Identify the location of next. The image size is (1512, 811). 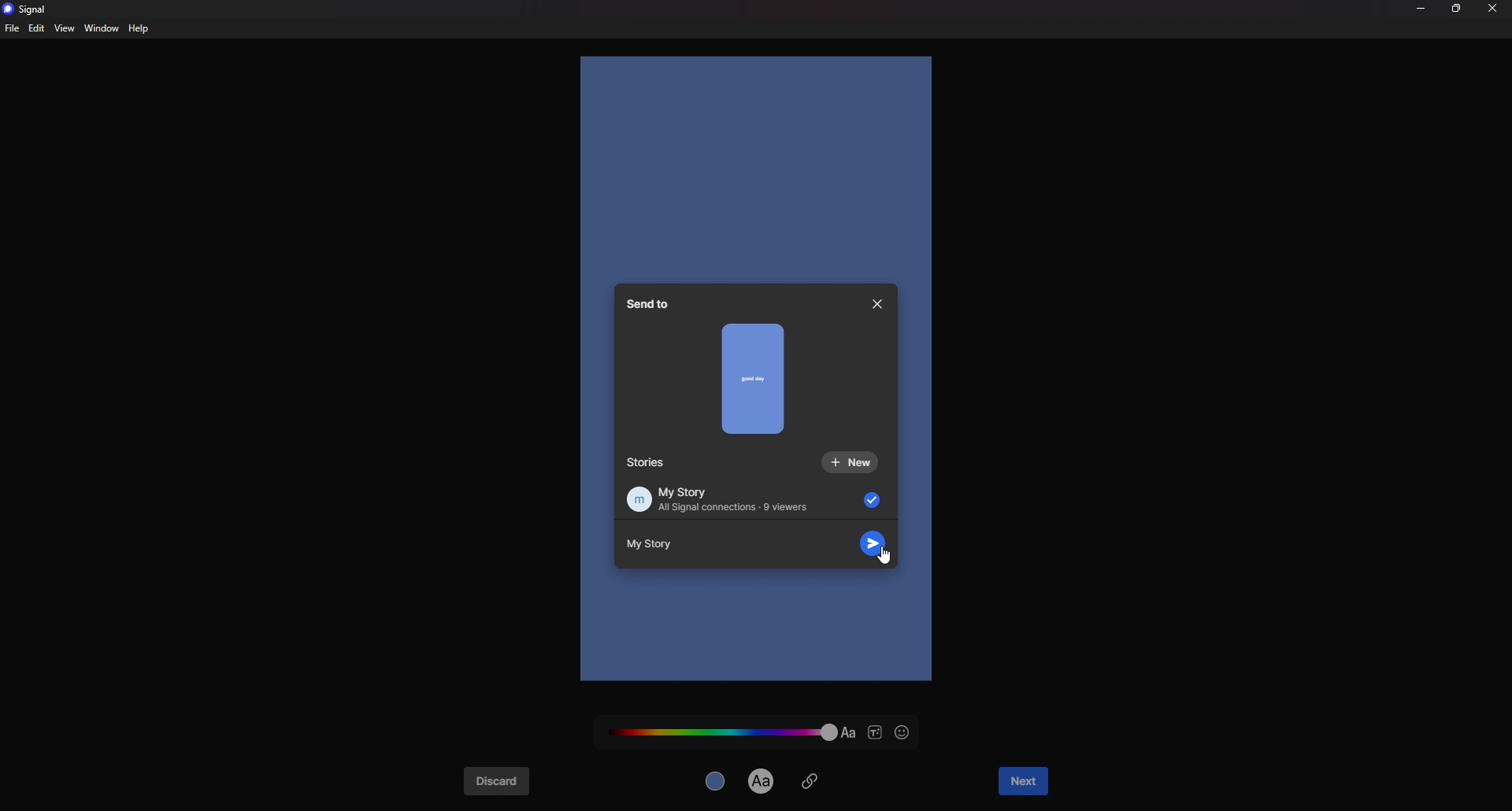
(1025, 782).